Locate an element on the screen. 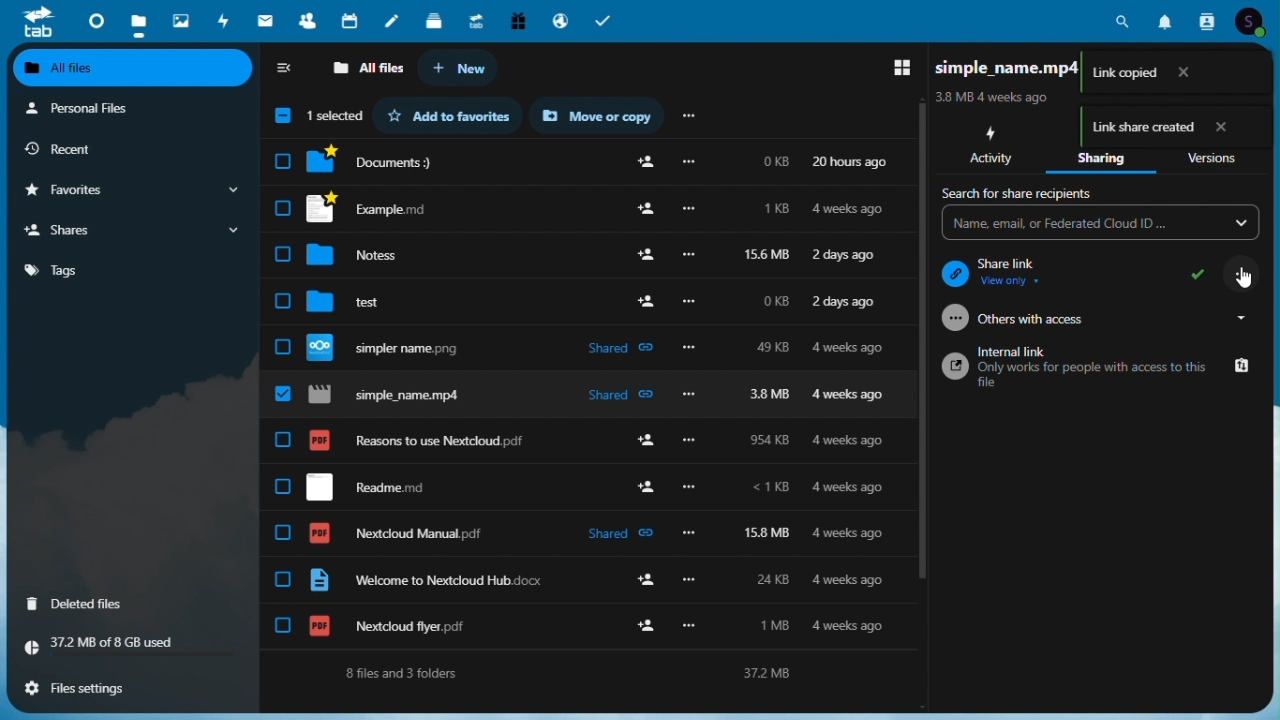 This screenshot has height=720, width=1280. Dashboard is located at coordinates (95, 18).